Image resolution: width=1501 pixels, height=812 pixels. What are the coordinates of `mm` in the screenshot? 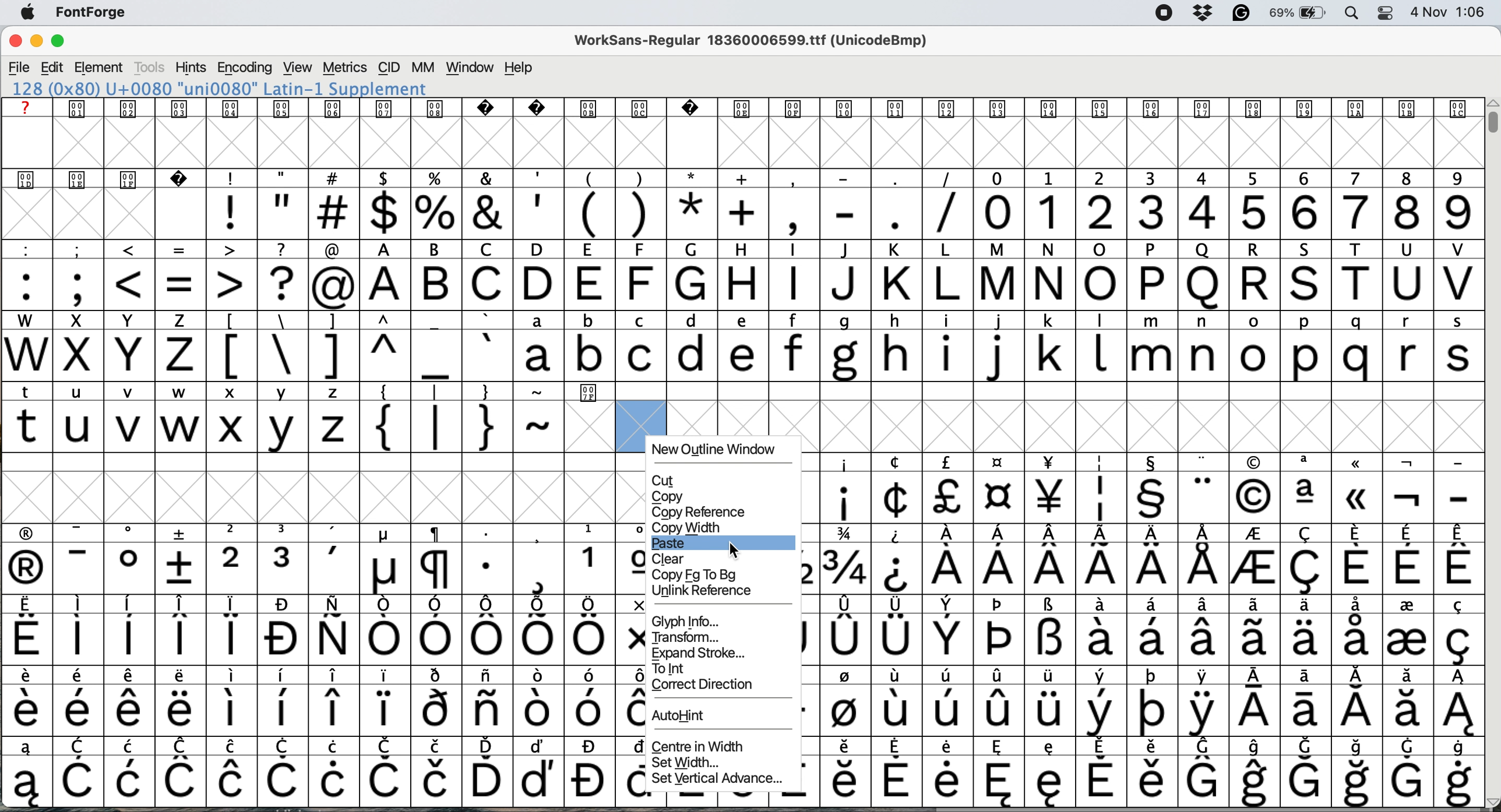 It's located at (422, 68).